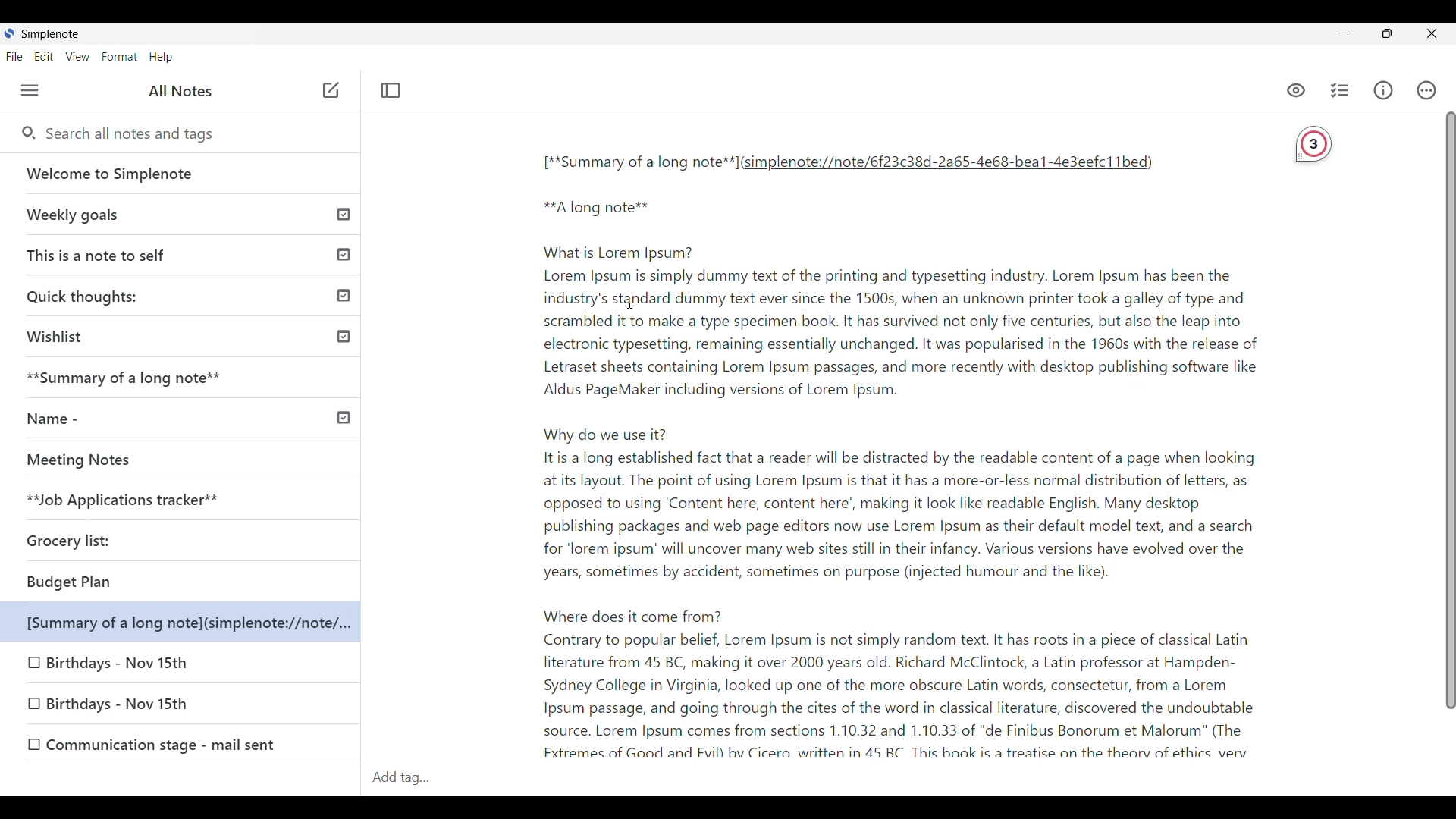  Describe the element at coordinates (120, 57) in the screenshot. I see `Format` at that location.